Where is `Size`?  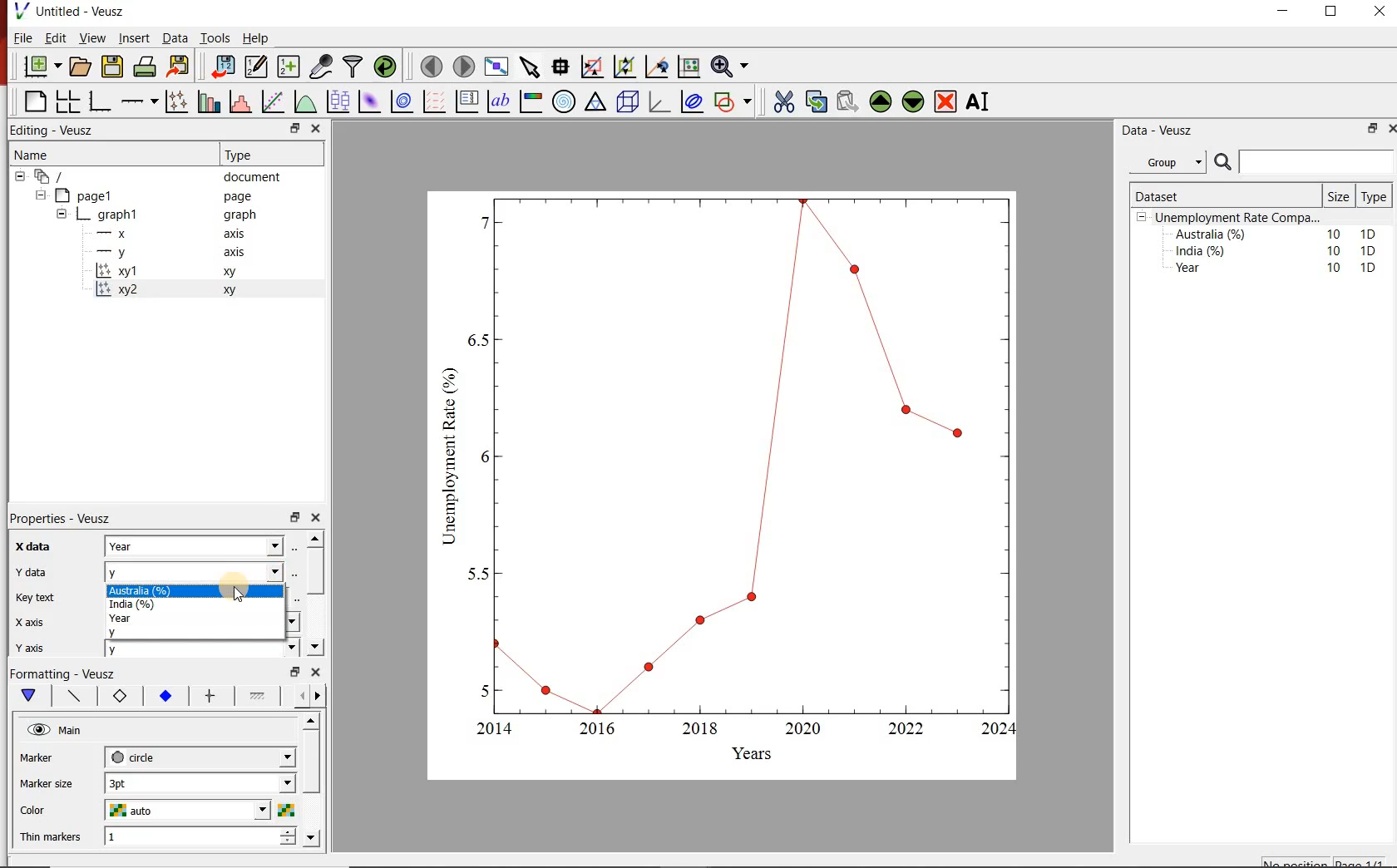
Size is located at coordinates (1340, 196).